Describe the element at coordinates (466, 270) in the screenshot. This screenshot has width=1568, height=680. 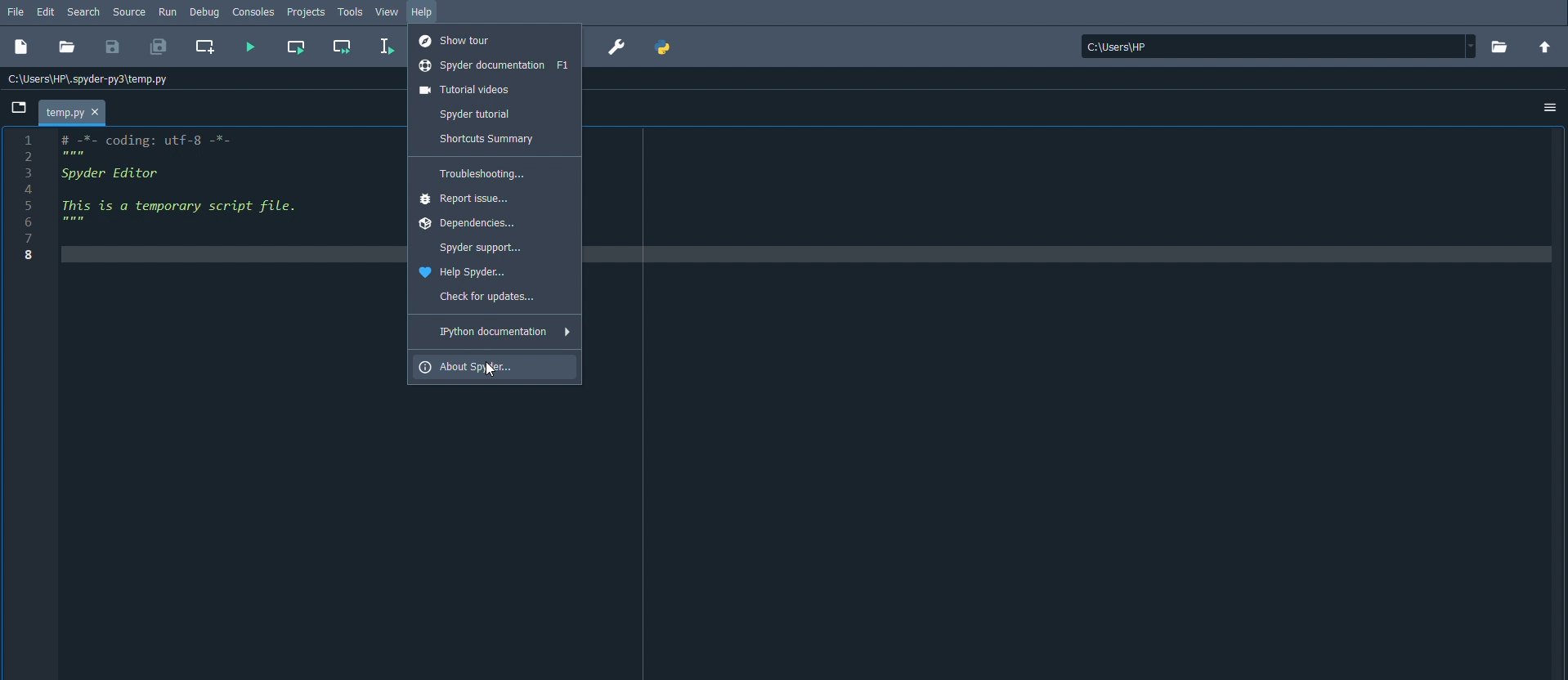
I see `Help Spyder` at that location.